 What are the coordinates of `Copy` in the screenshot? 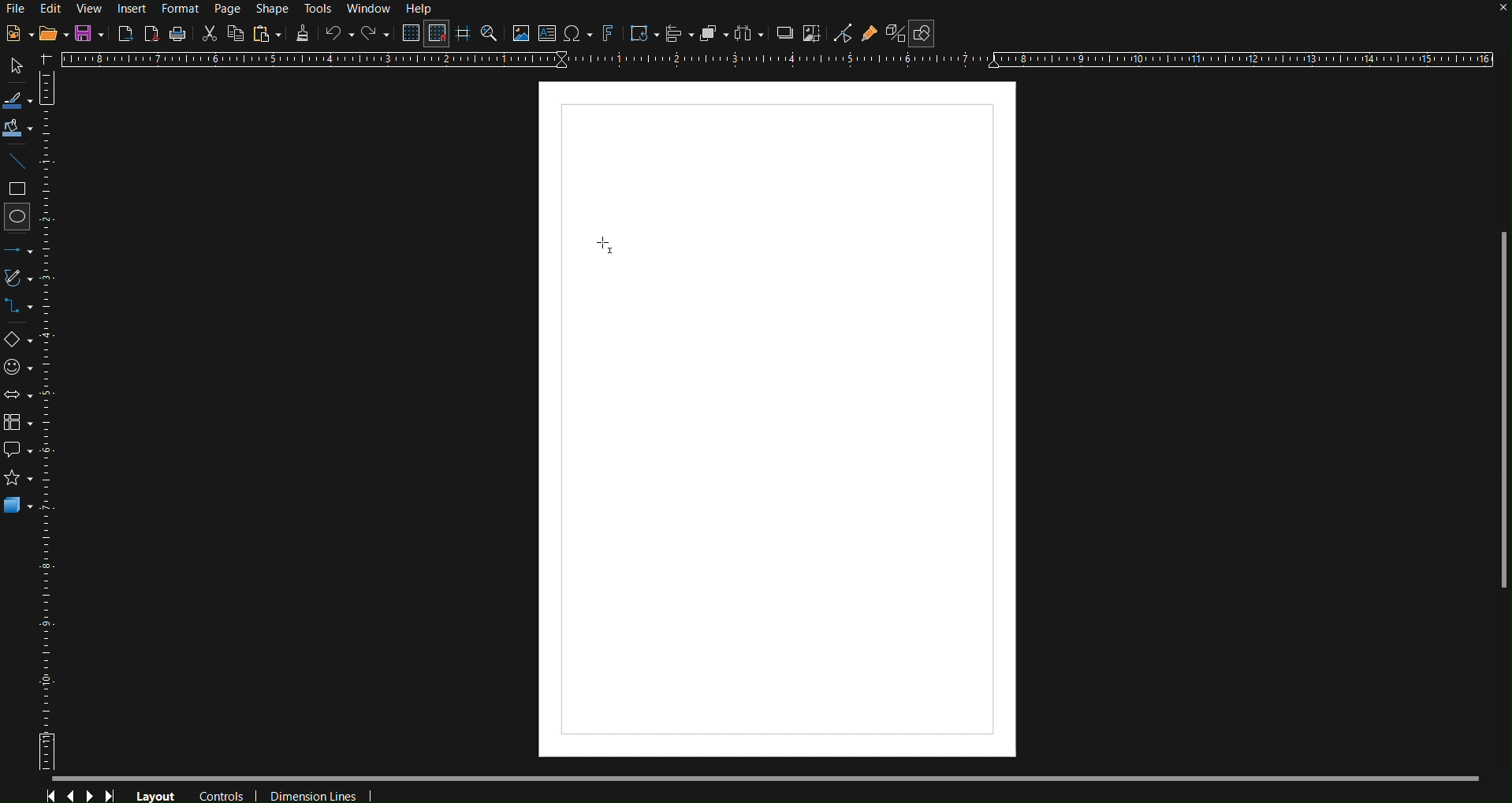 It's located at (236, 33).